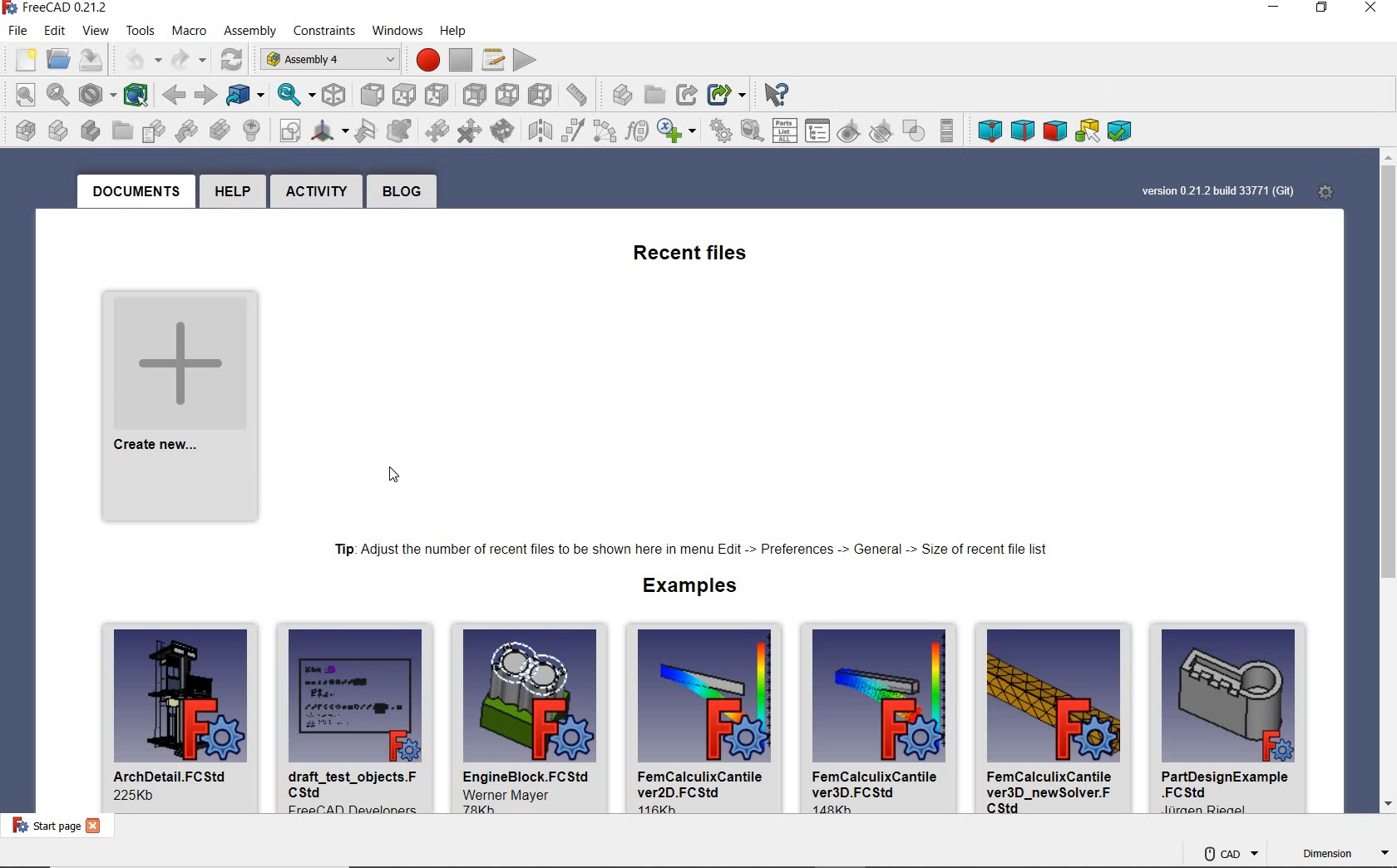  Describe the element at coordinates (705, 717) in the screenshot. I see `FemCalculix` at that location.